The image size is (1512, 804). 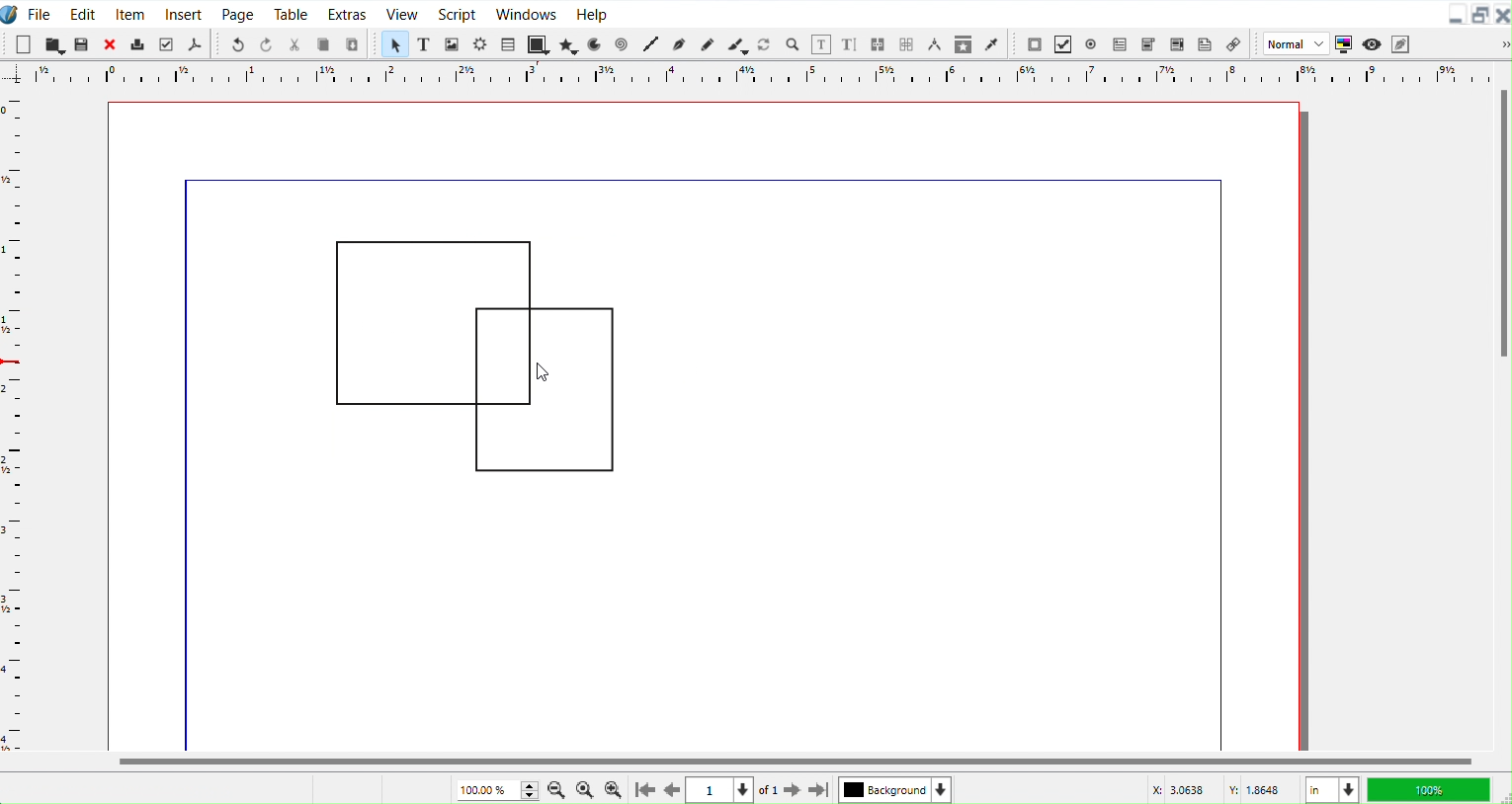 I want to click on Eye dropper, so click(x=992, y=43).